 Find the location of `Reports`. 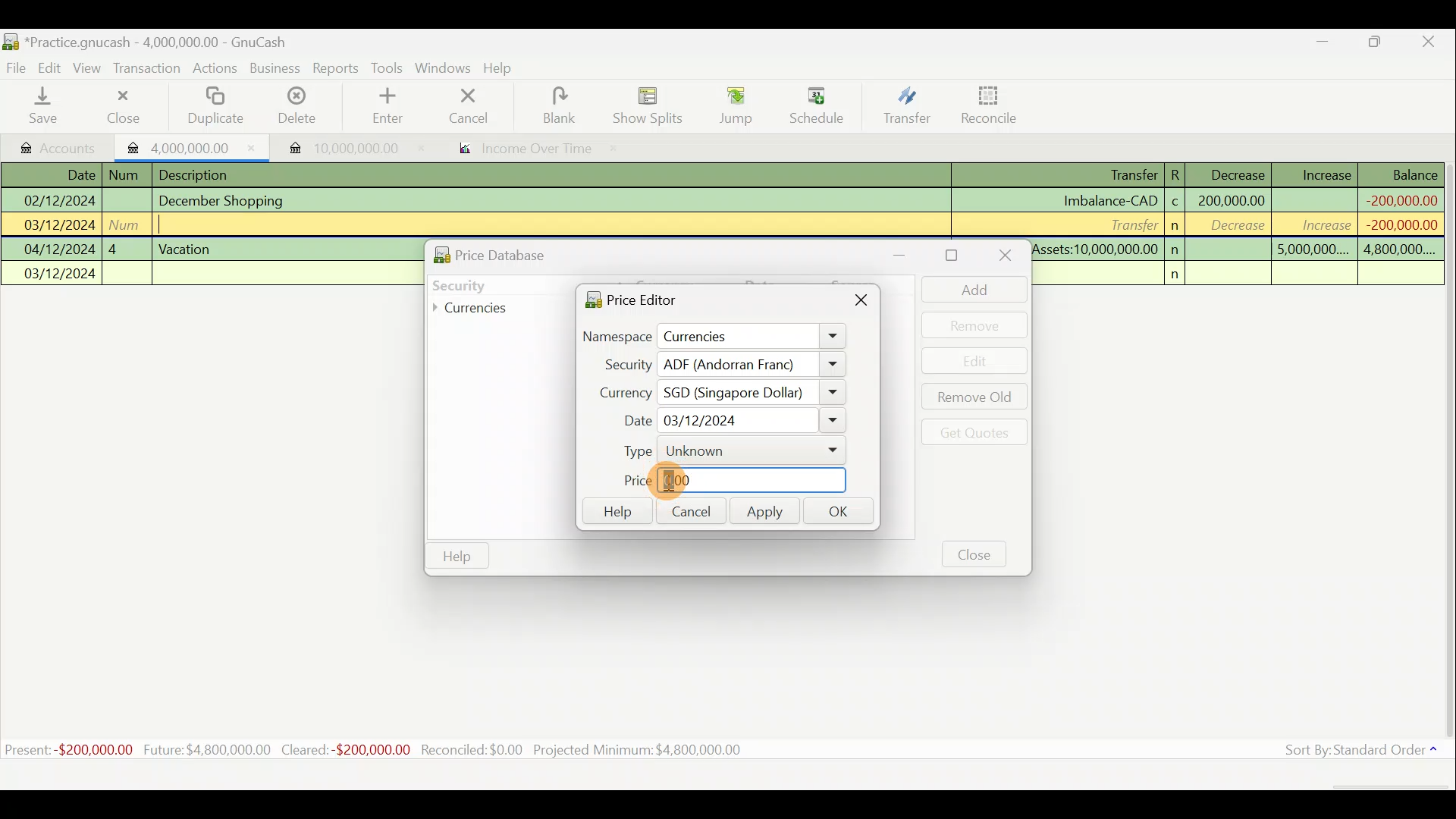

Reports is located at coordinates (335, 68).